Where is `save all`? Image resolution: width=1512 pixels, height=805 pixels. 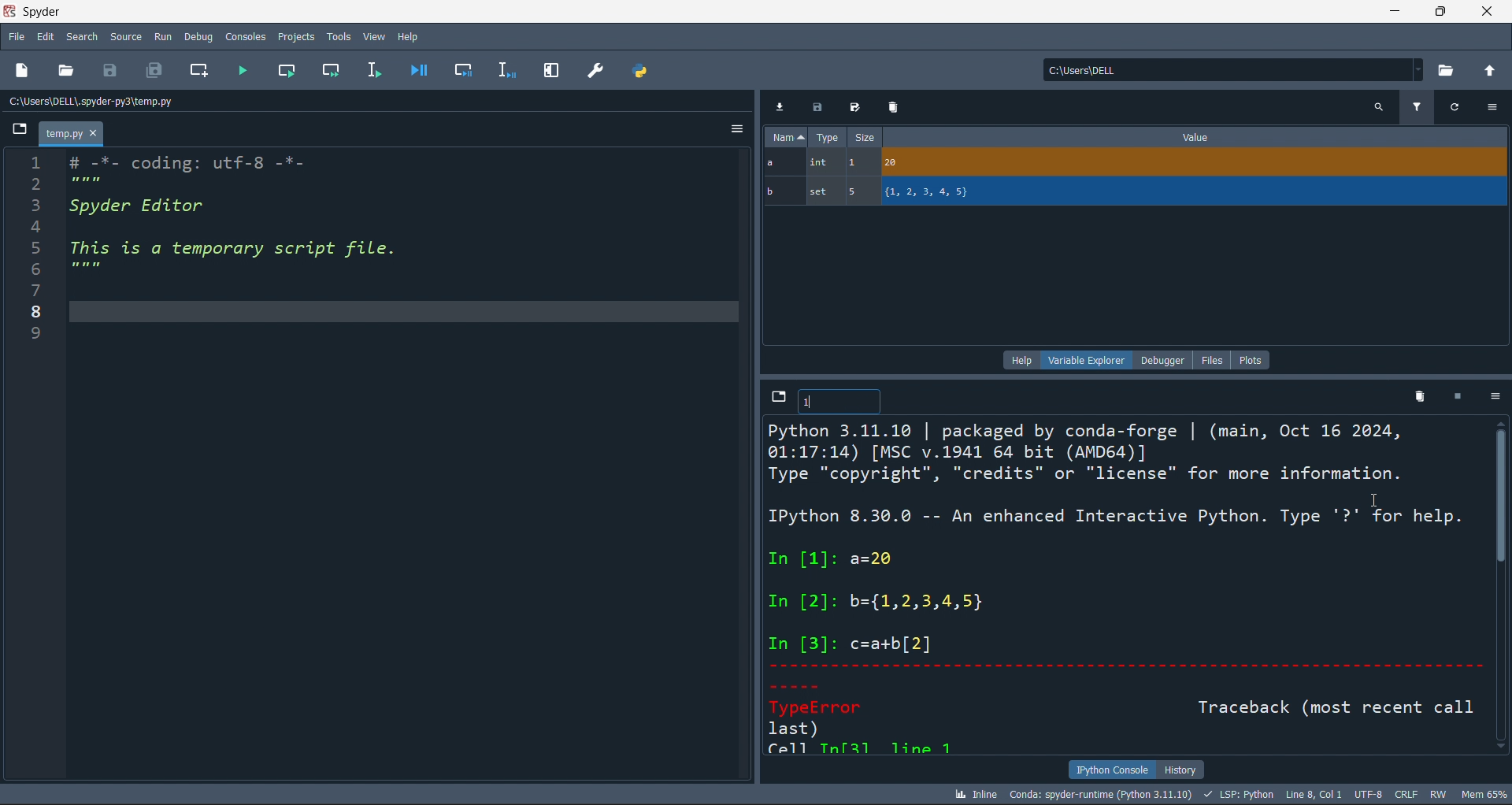 save all is located at coordinates (154, 72).